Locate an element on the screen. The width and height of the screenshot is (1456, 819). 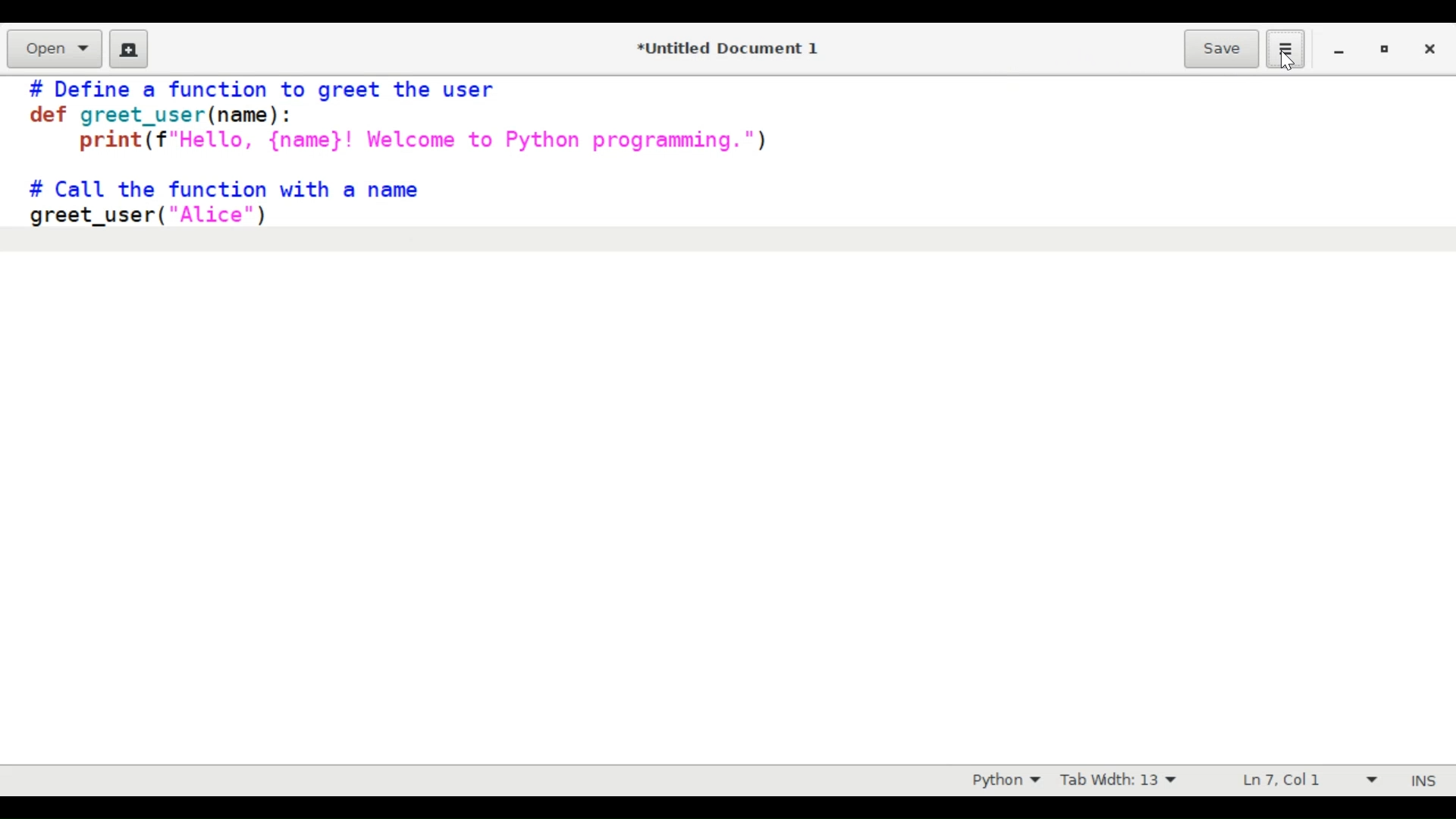
Restore is located at coordinates (1383, 49).